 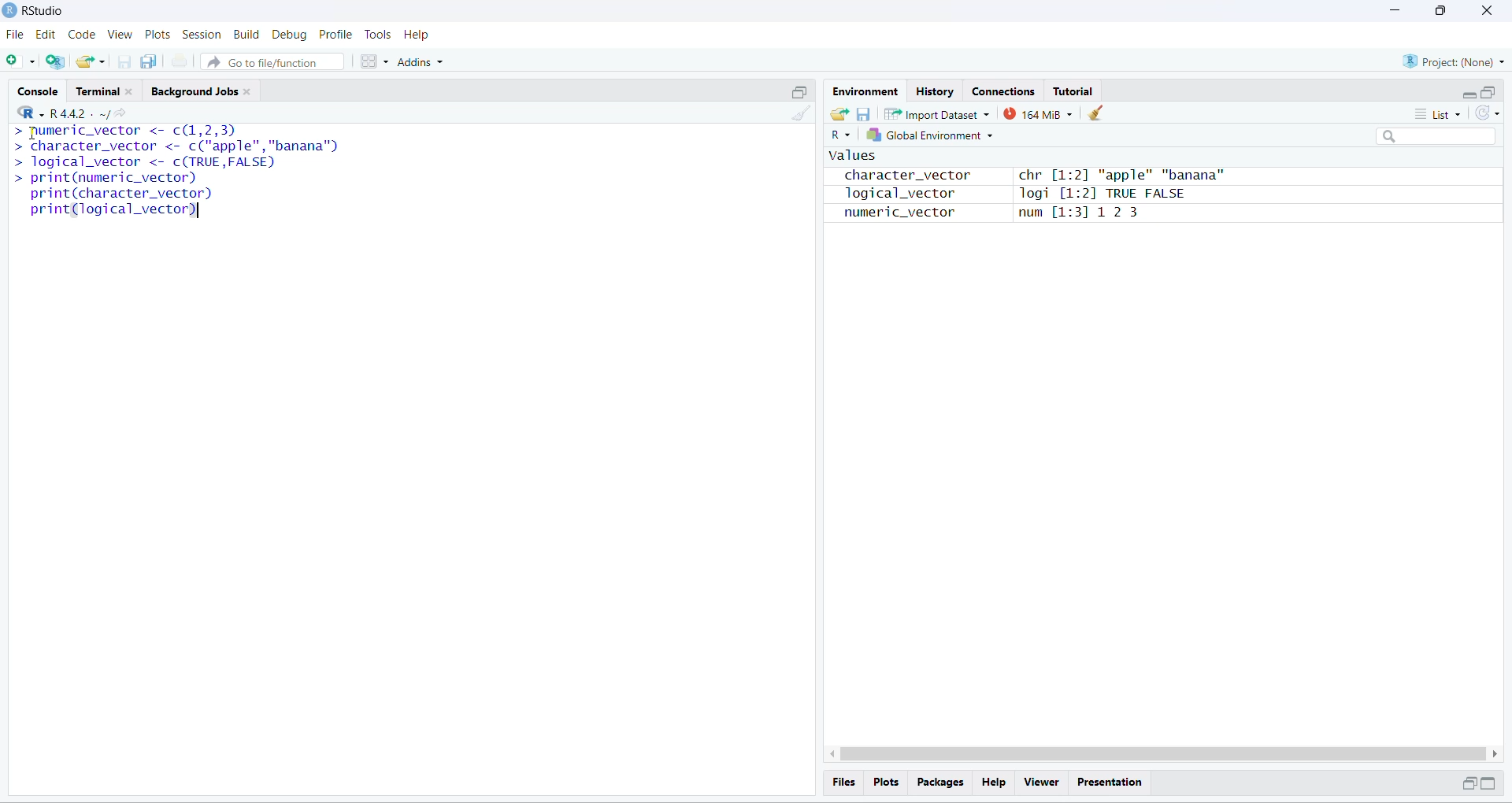 What do you see at coordinates (1111, 783) in the screenshot?
I see `Presentation` at bounding box center [1111, 783].